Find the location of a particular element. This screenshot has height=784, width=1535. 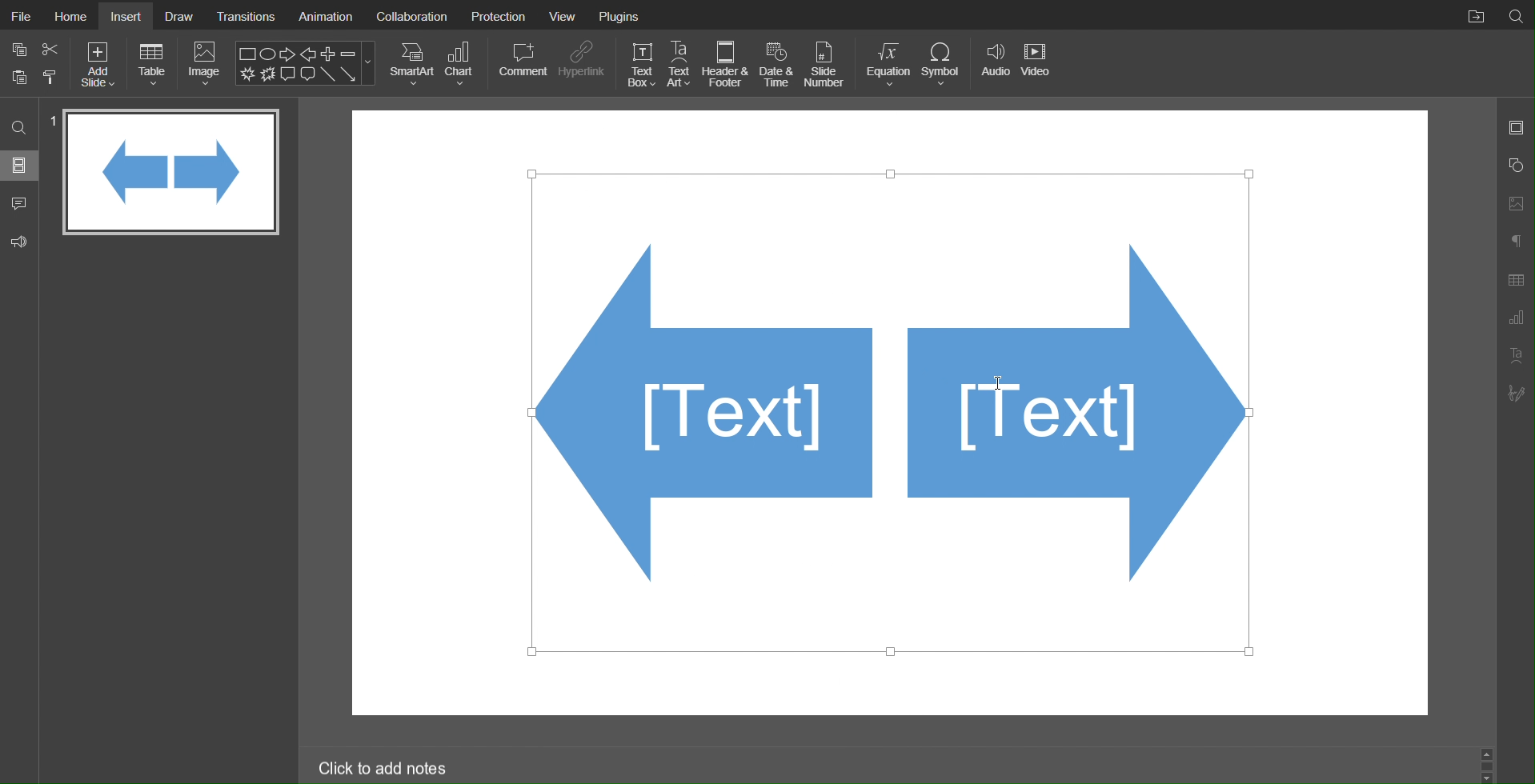

down is located at coordinates (1488, 776).